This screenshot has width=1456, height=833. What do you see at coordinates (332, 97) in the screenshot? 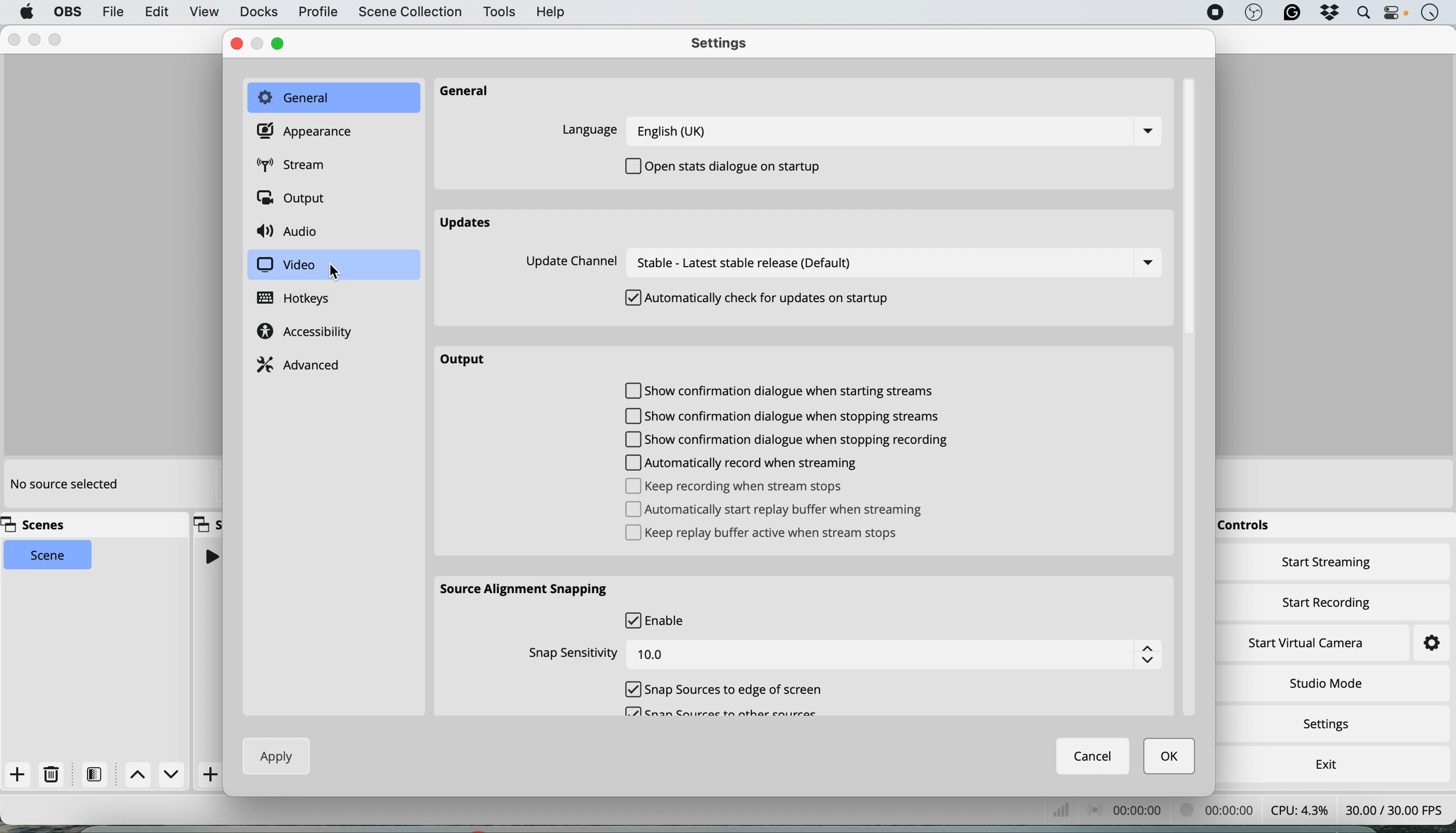
I see `general` at bounding box center [332, 97].